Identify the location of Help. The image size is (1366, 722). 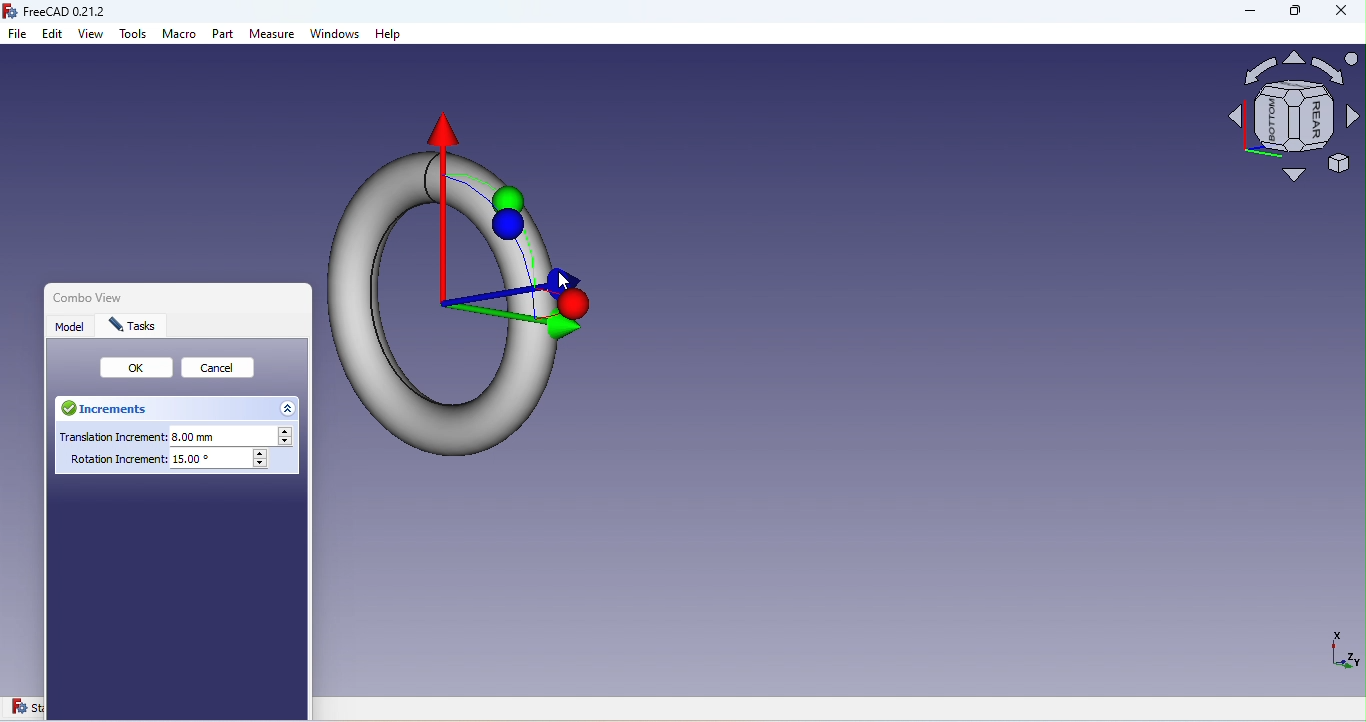
(388, 35).